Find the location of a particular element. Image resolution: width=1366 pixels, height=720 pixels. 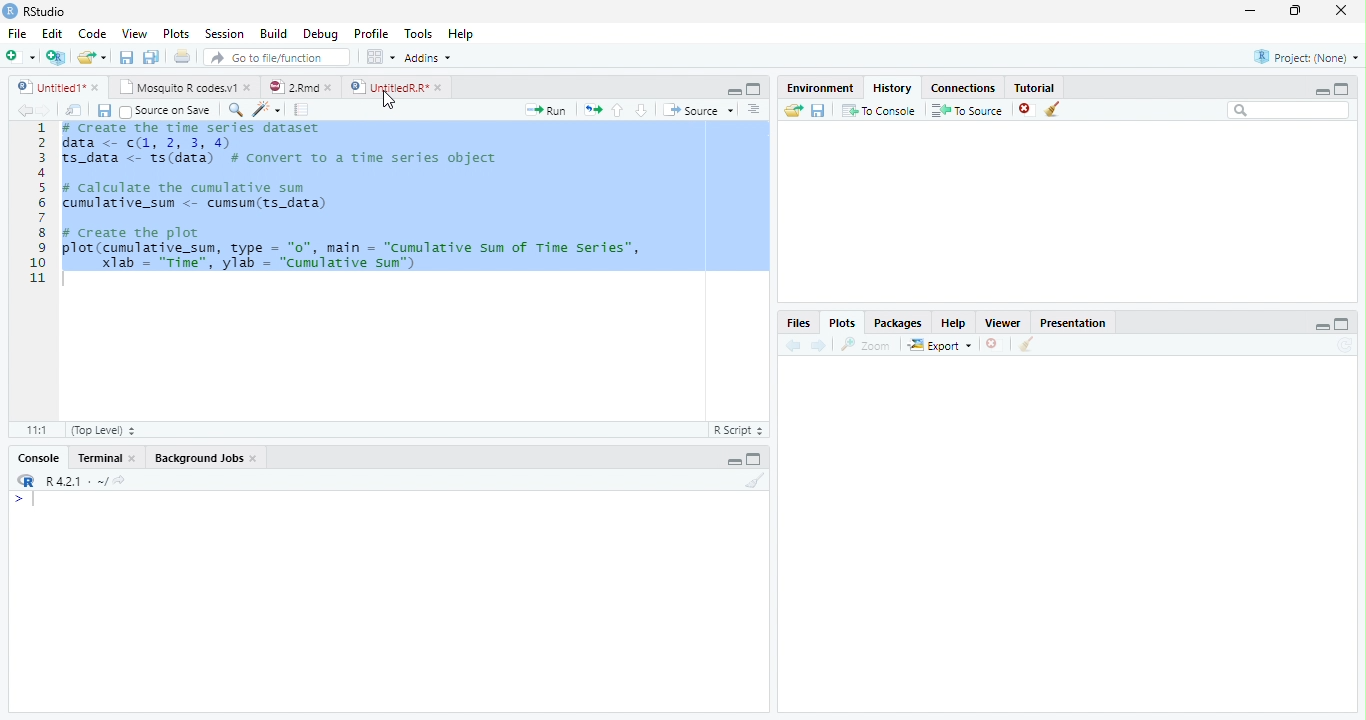

File is located at coordinates (16, 34).